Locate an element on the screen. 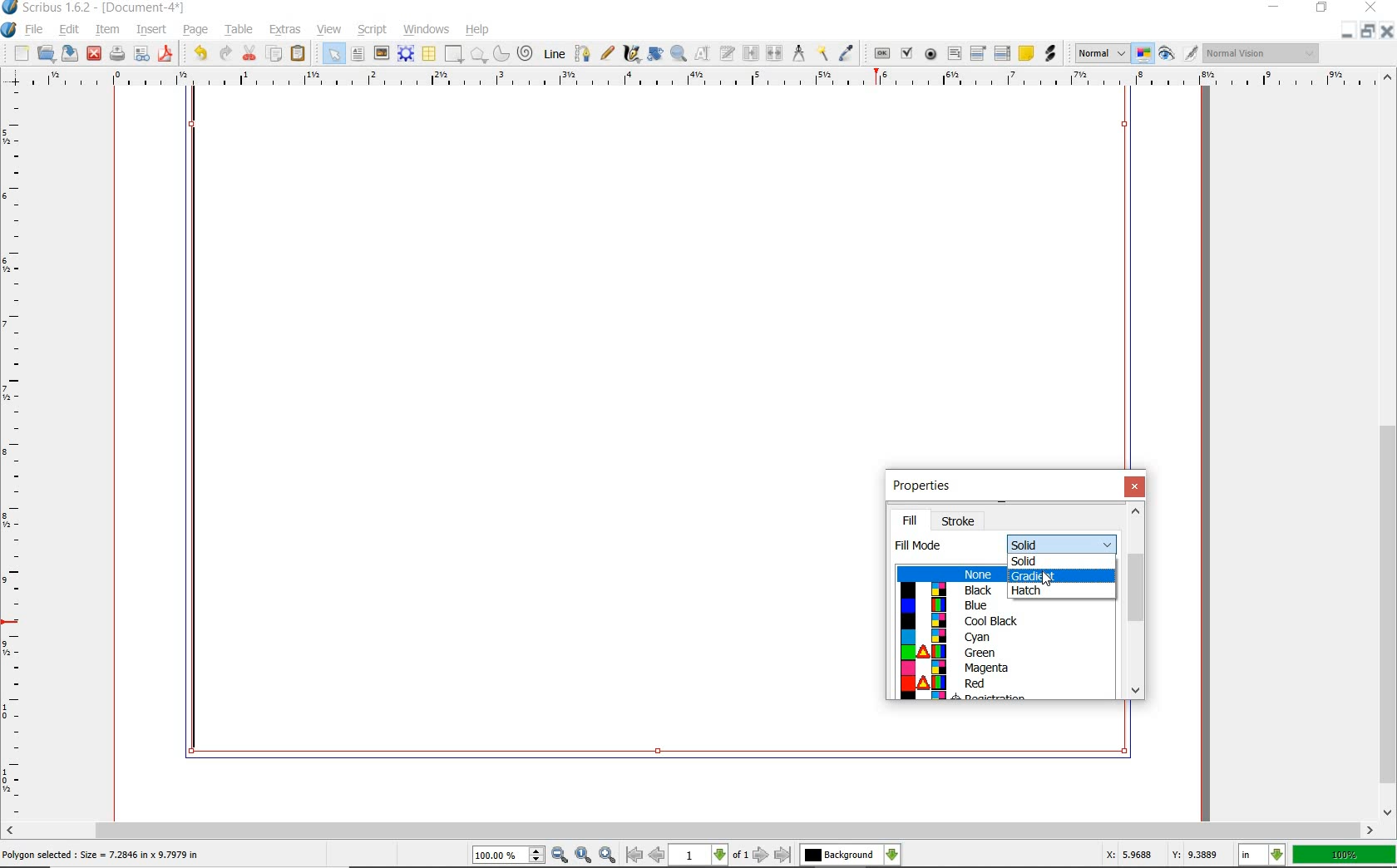 Image resolution: width=1397 pixels, height=868 pixels. Normal is located at coordinates (1101, 53).